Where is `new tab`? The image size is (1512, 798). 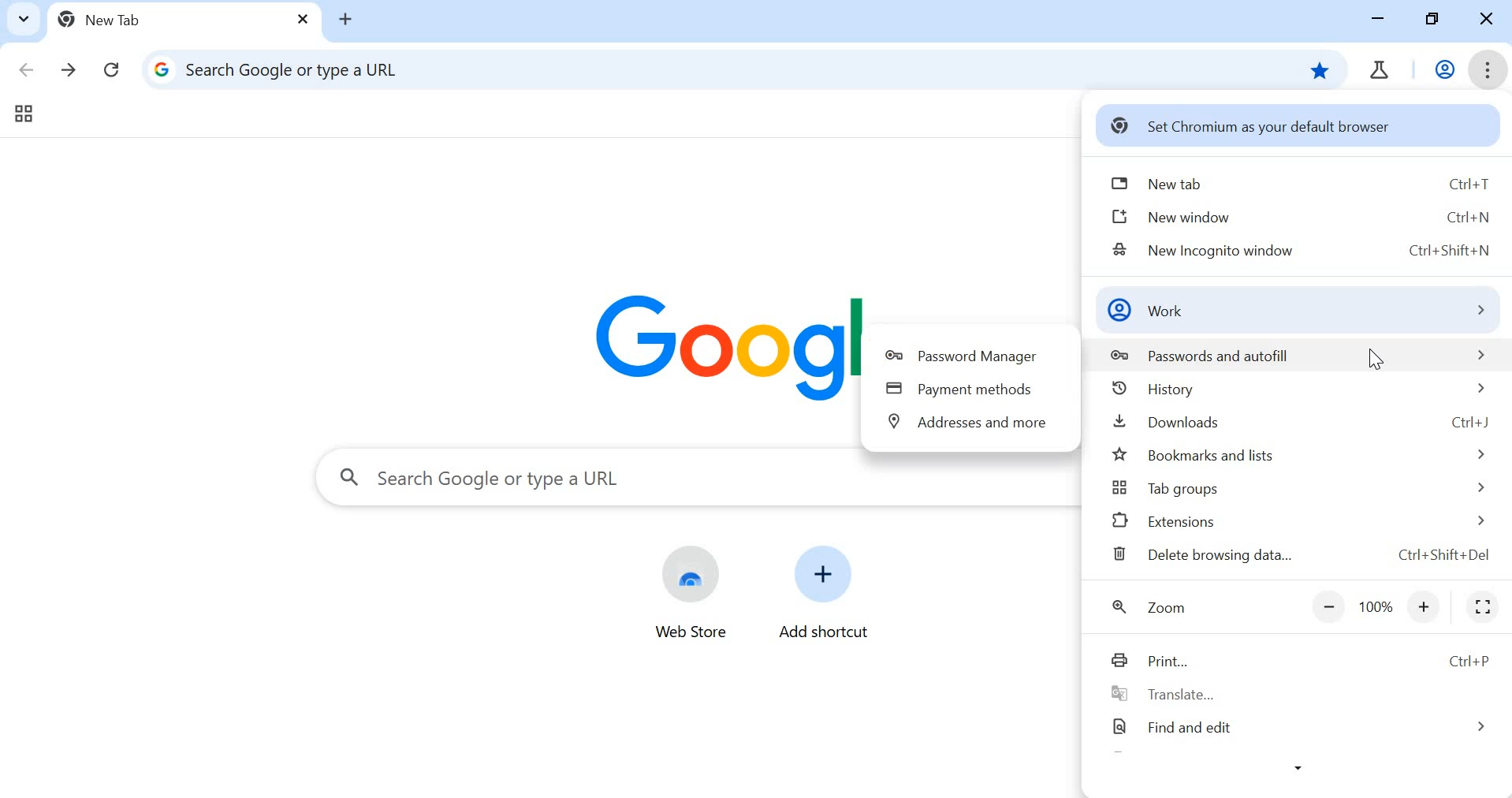 new tab is located at coordinates (180, 17).